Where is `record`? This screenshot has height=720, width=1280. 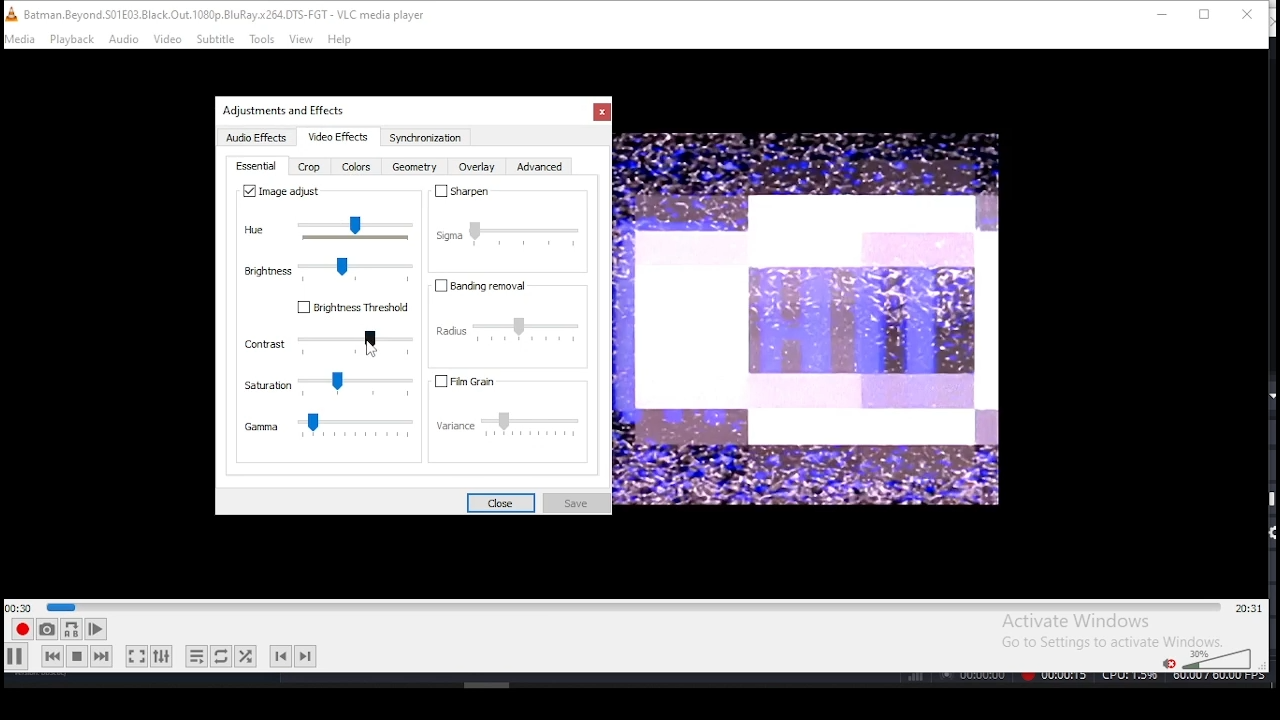
record is located at coordinates (21, 630).